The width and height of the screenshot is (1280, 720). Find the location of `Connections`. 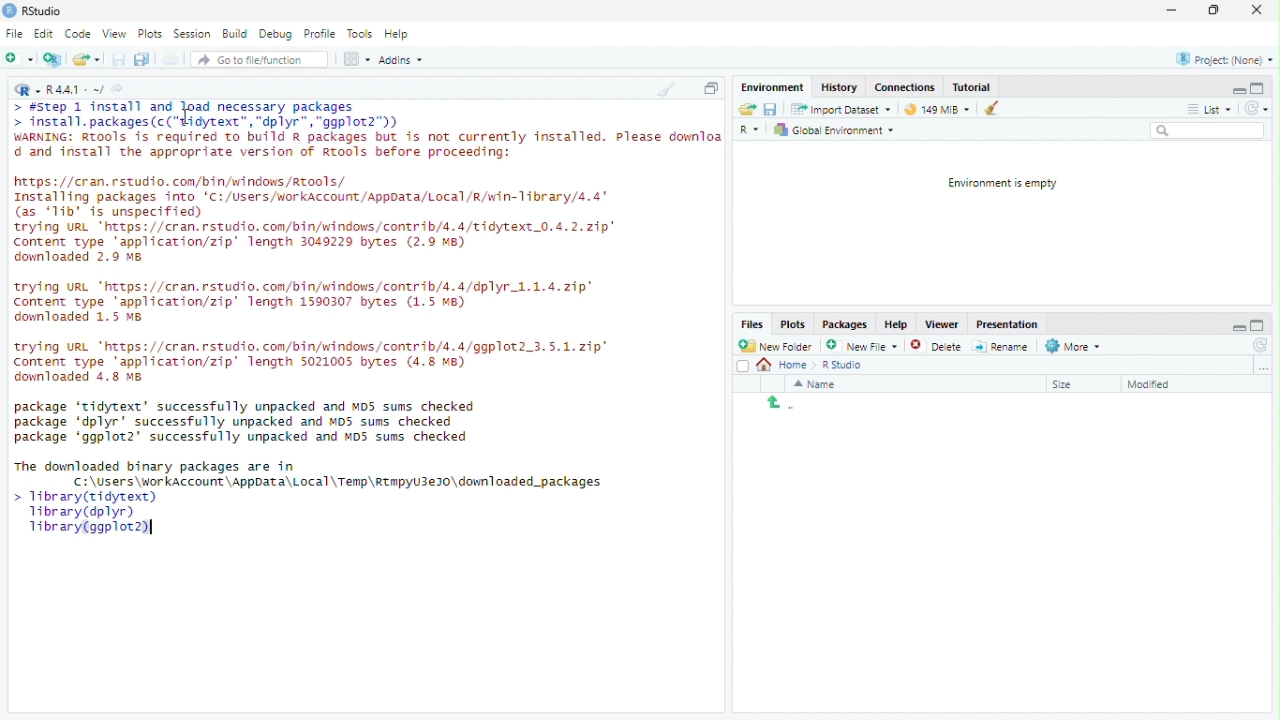

Connections is located at coordinates (905, 86).